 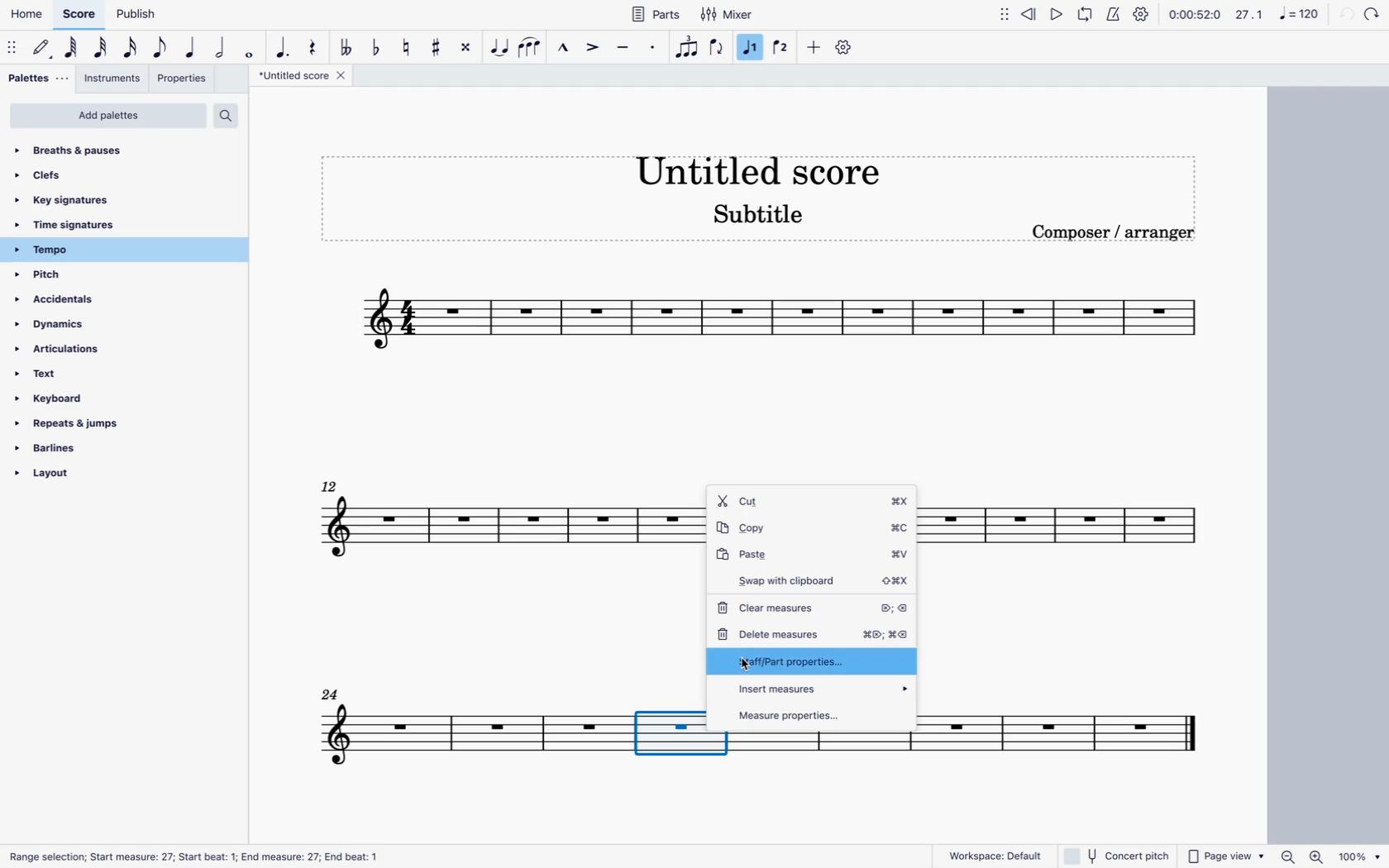 I want to click on settings, so click(x=846, y=49).